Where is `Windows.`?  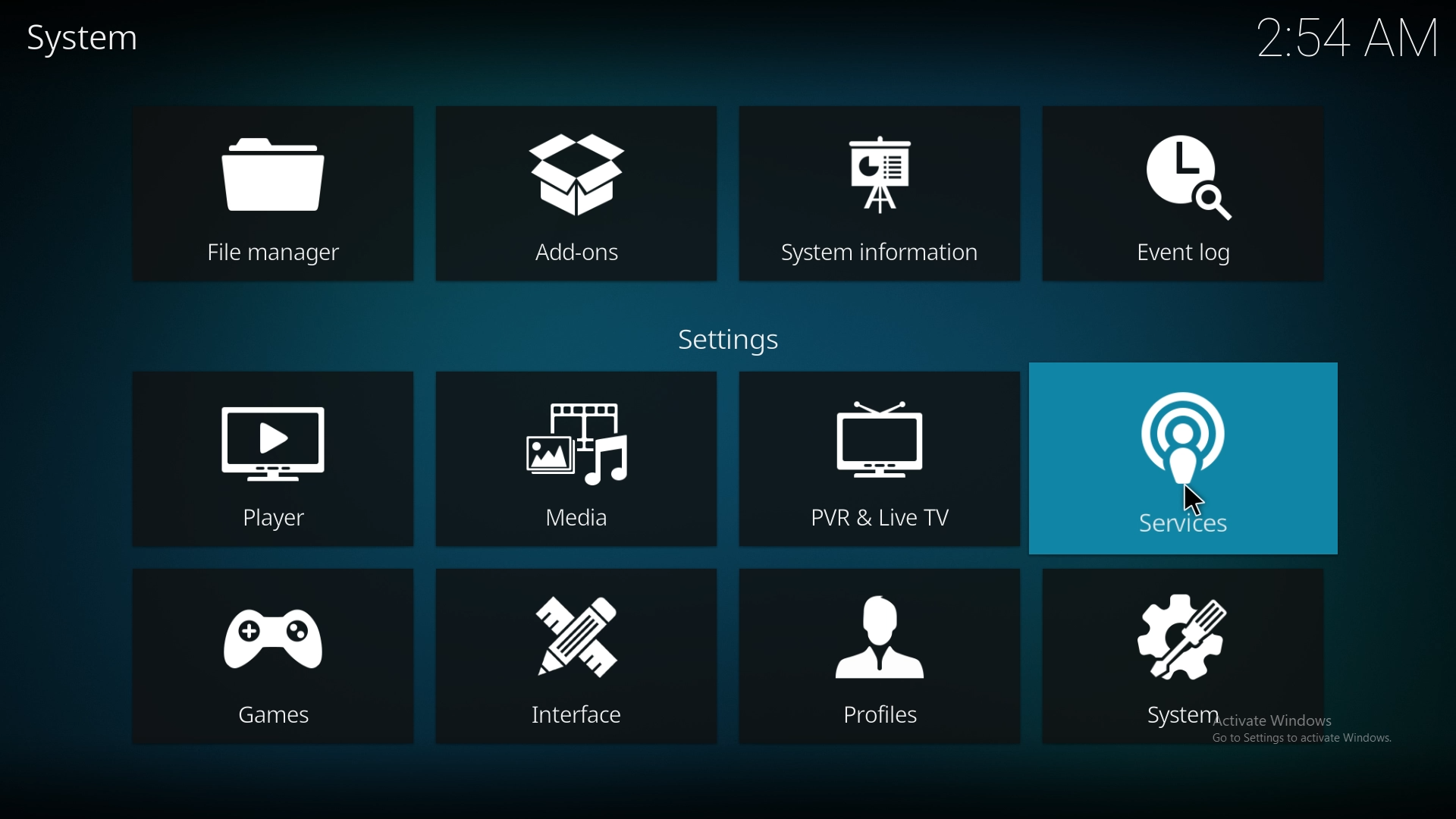 Windows. is located at coordinates (1368, 727).